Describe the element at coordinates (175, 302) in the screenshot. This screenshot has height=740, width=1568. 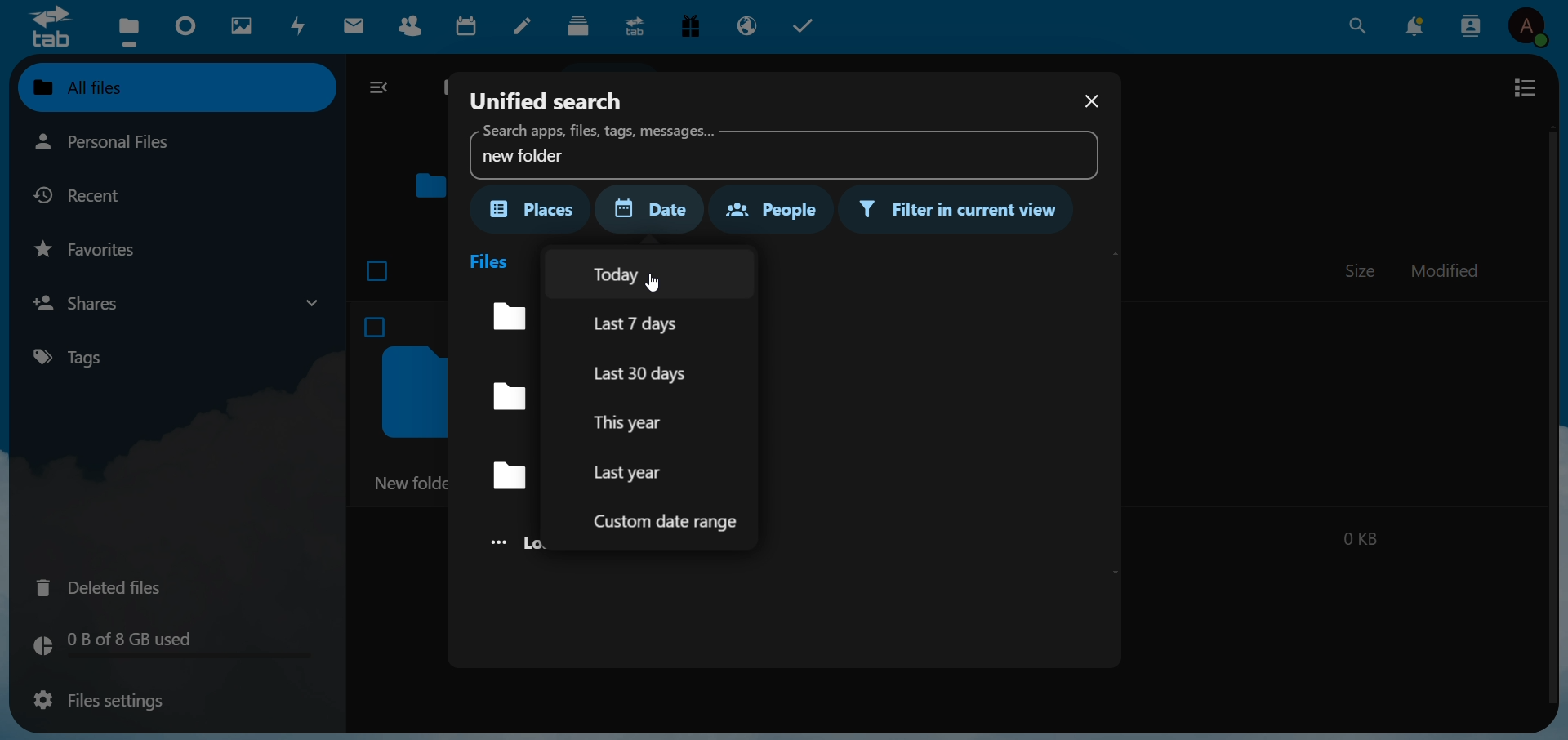
I see `shares` at that location.